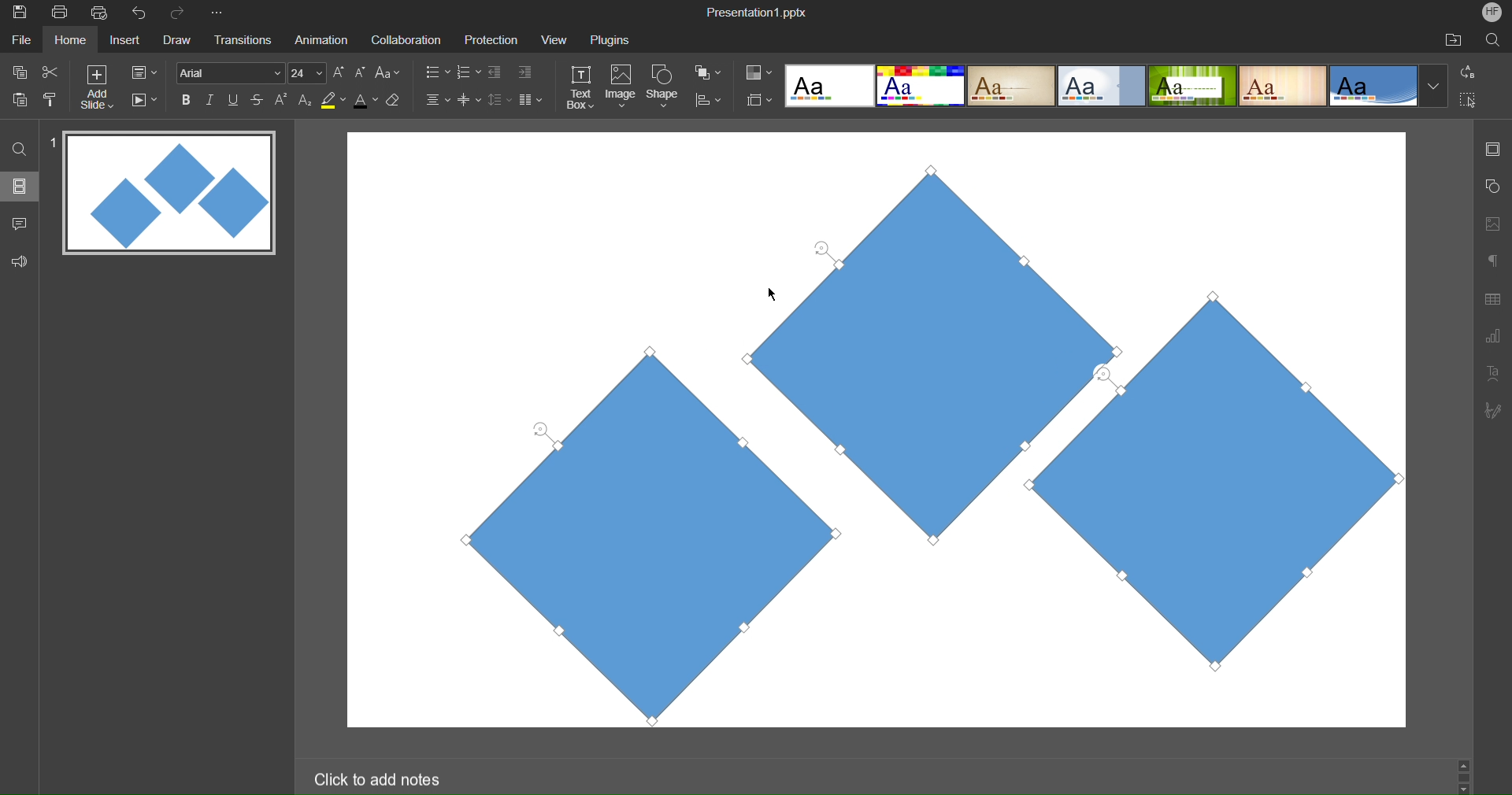 Image resolution: width=1512 pixels, height=795 pixels. What do you see at coordinates (1493, 298) in the screenshot?
I see `Table` at bounding box center [1493, 298].